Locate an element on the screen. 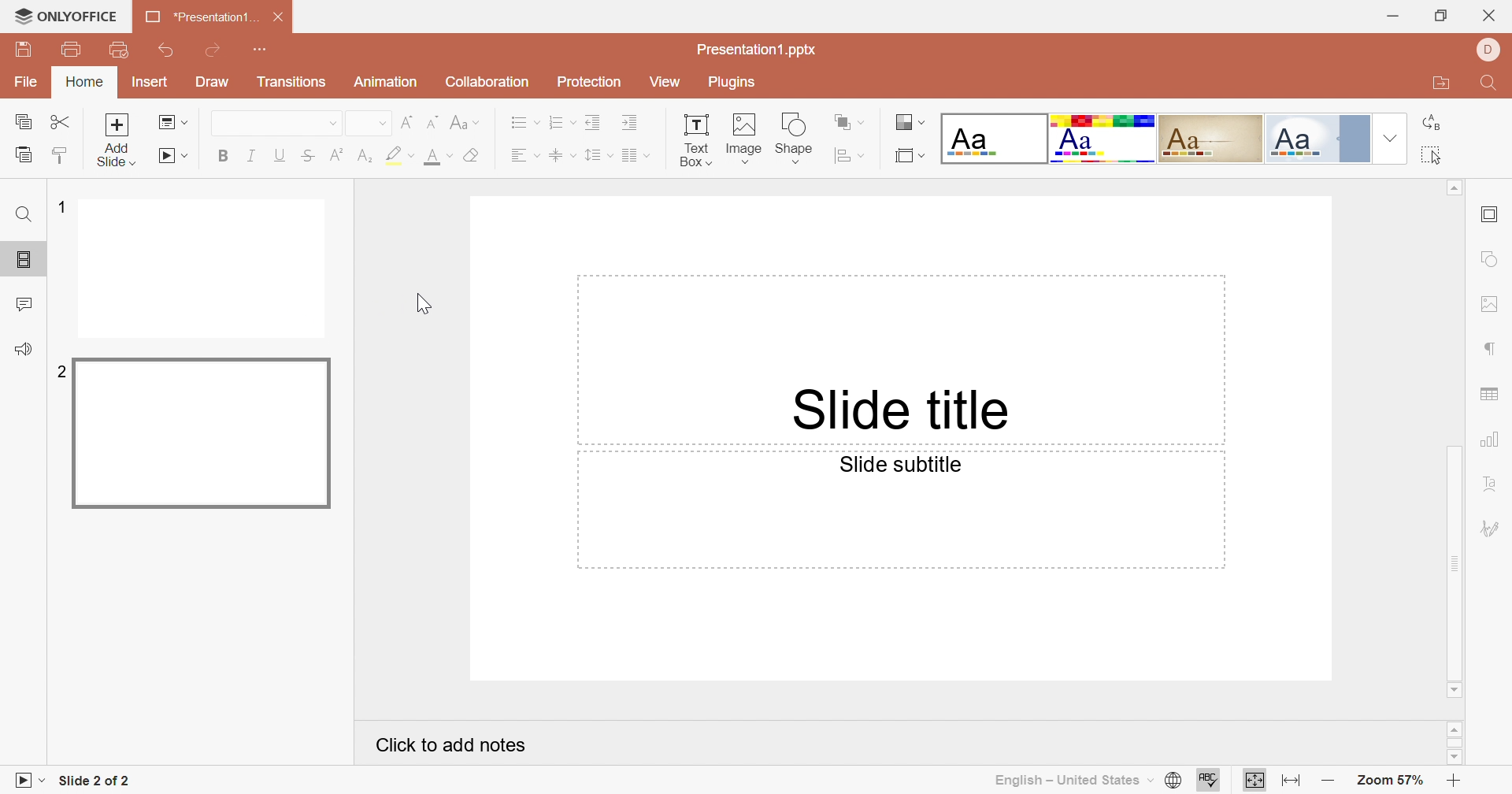 The width and height of the screenshot is (1512, 794). Comments is located at coordinates (28, 305).